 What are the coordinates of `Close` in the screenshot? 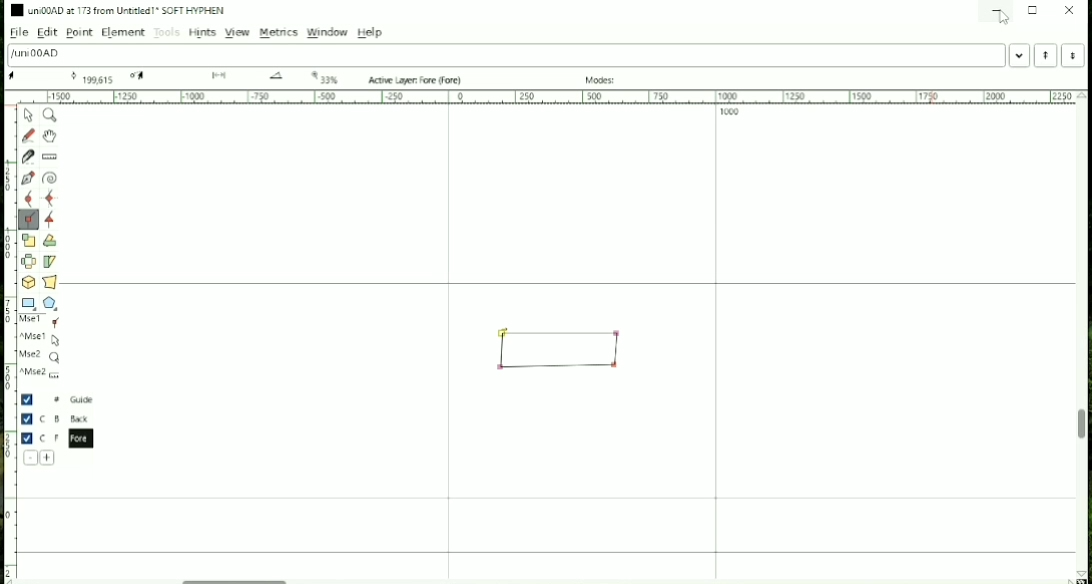 It's located at (1070, 10).